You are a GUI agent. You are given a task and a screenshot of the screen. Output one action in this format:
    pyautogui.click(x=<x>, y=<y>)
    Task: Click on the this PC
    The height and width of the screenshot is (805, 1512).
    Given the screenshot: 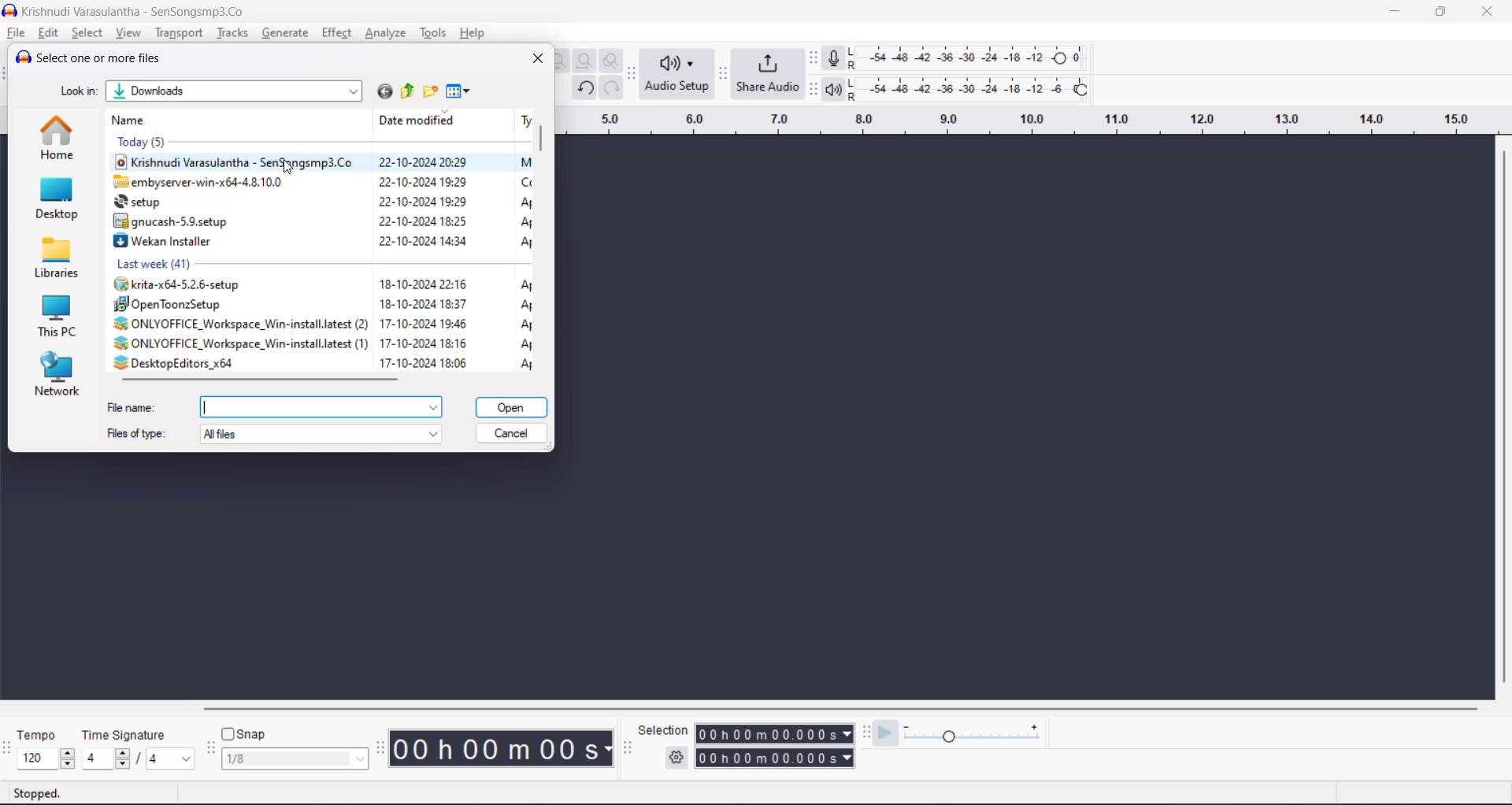 What is the action you would take?
    pyautogui.click(x=61, y=313)
    